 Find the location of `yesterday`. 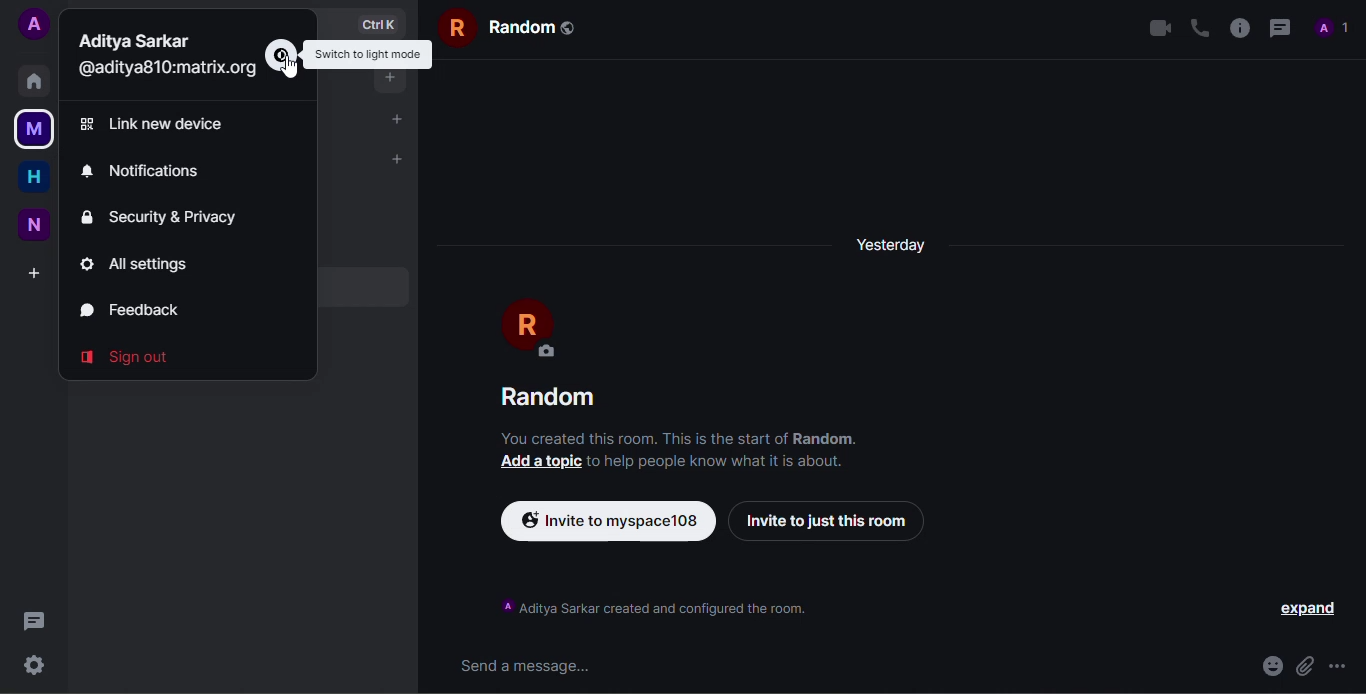

yesterday is located at coordinates (892, 245).